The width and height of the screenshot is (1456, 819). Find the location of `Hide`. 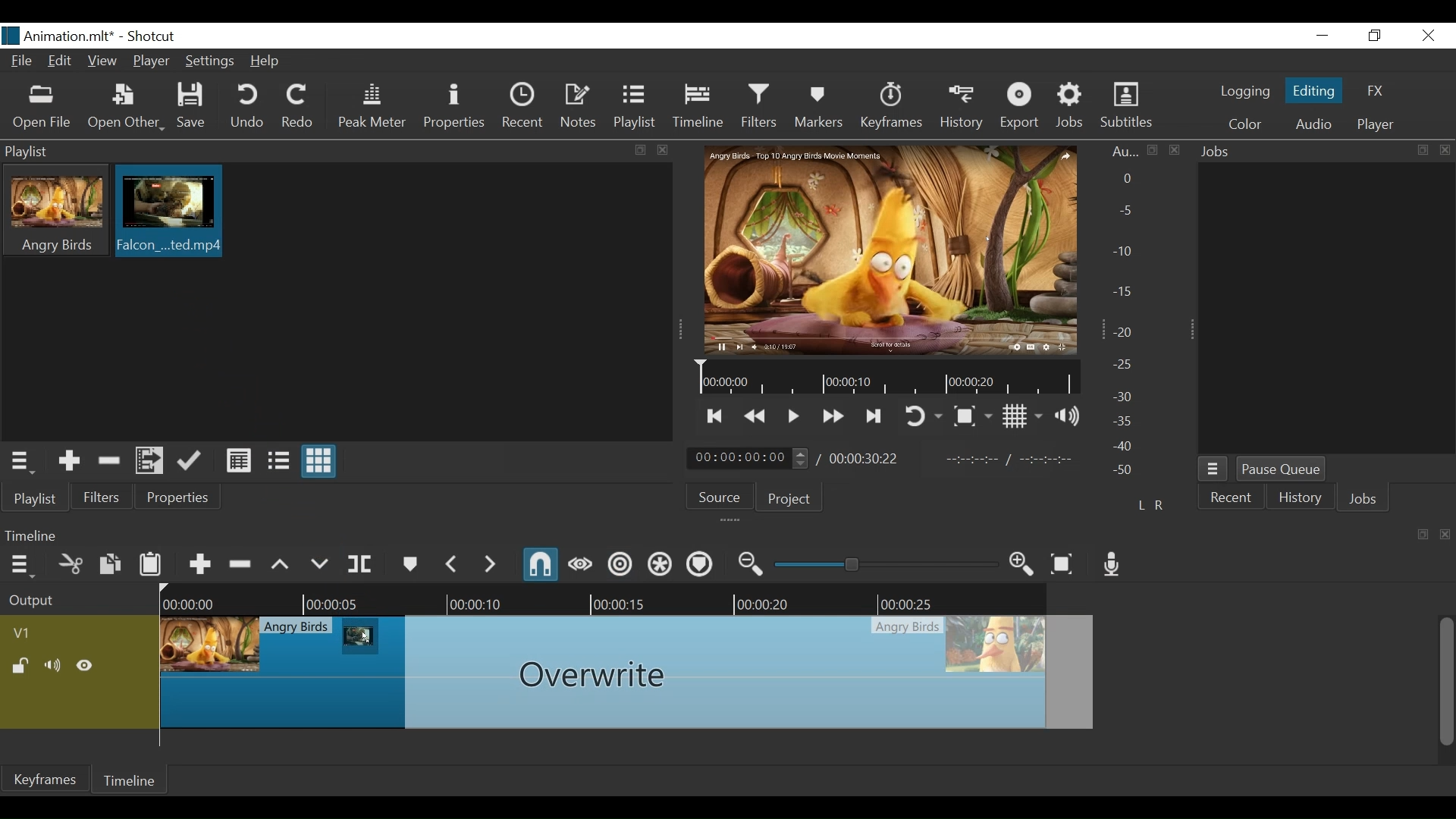

Hide is located at coordinates (86, 666).